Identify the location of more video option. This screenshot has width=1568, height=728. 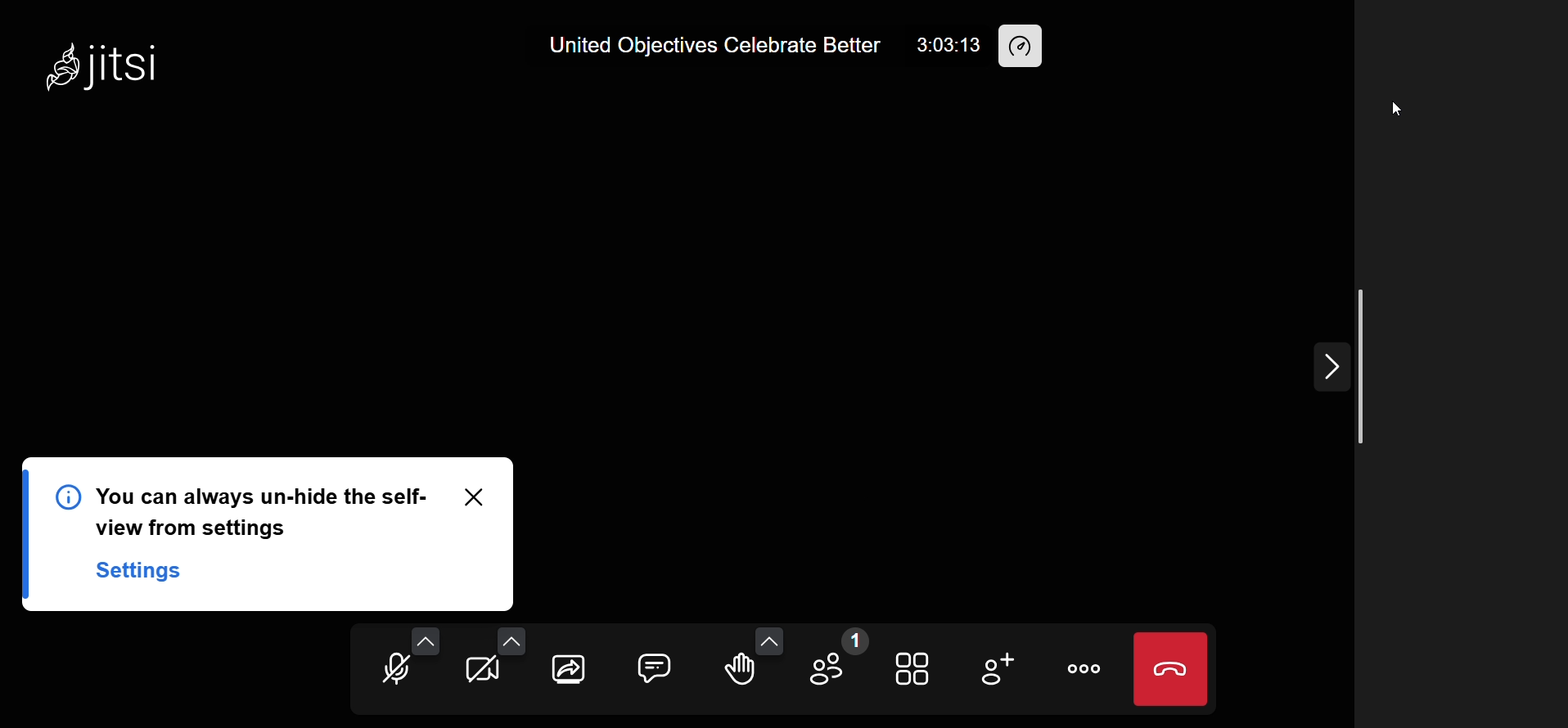
(511, 640).